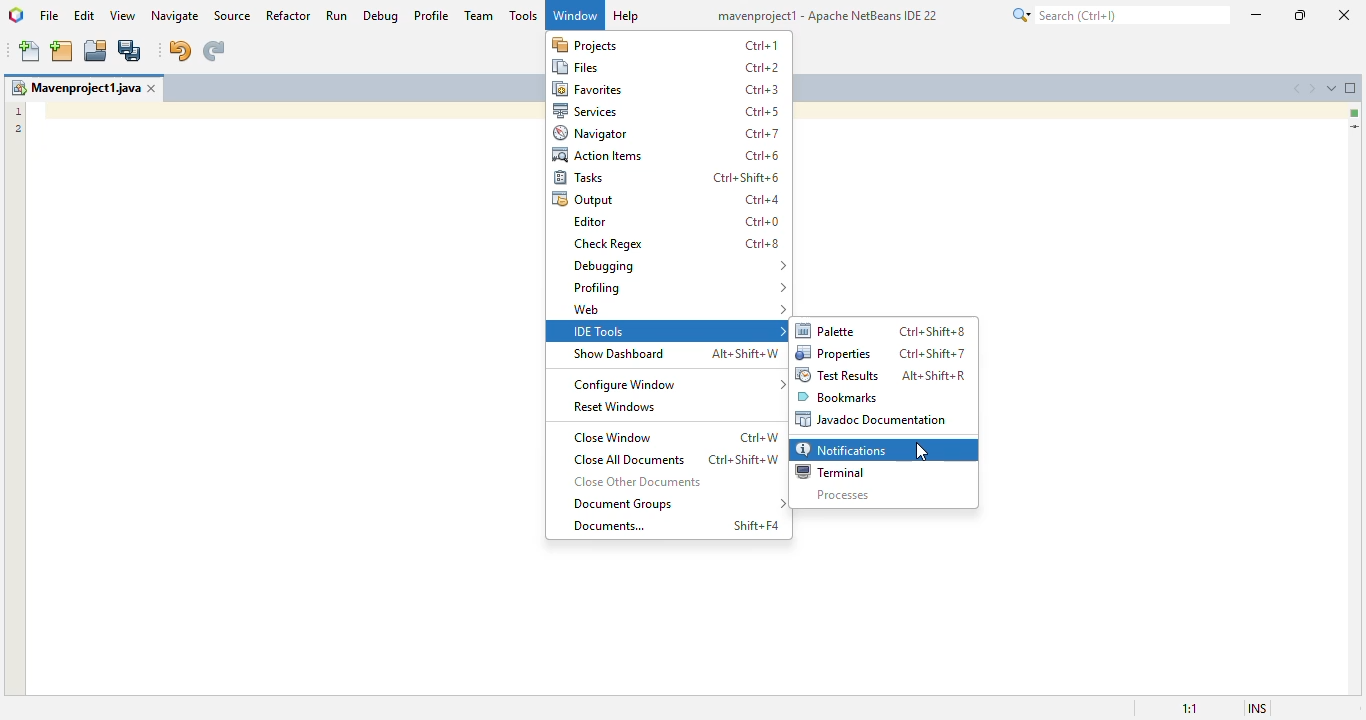 This screenshot has width=1366, height=720. Describe the element at coordinates (837, 397) in the screenshot. I see `bookmarks` at that location.